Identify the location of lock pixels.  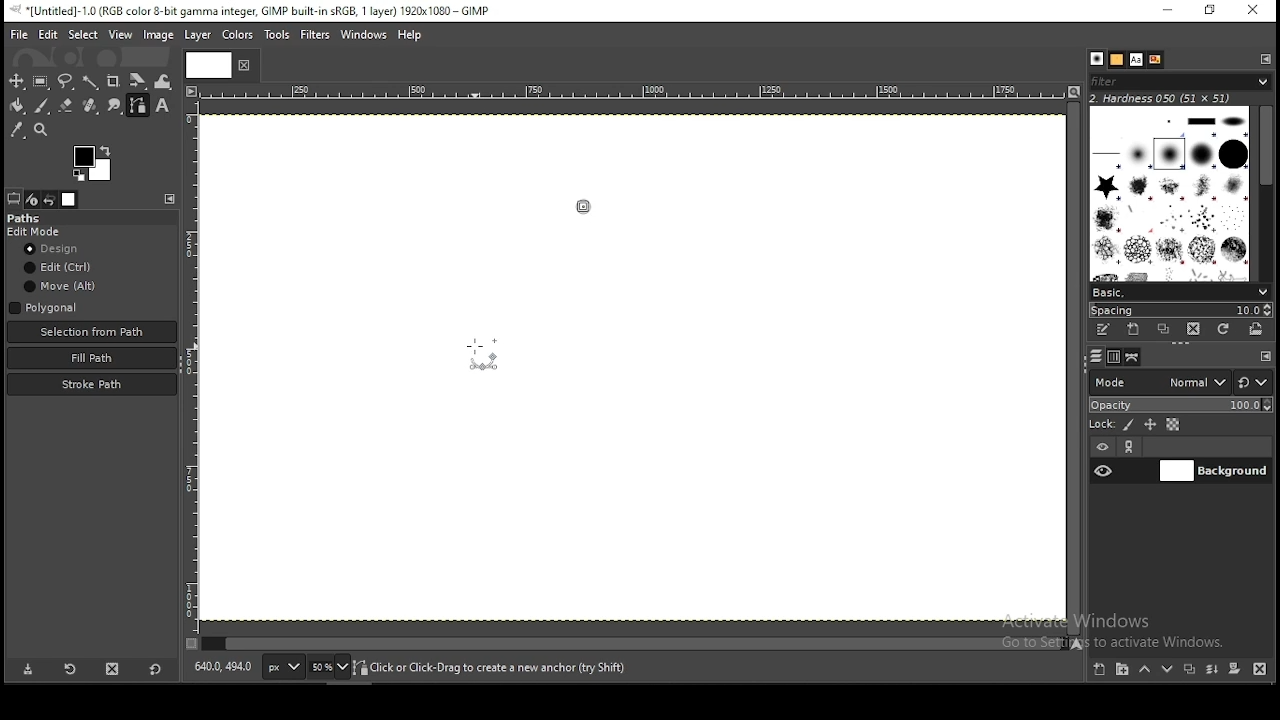
(1129, 424).